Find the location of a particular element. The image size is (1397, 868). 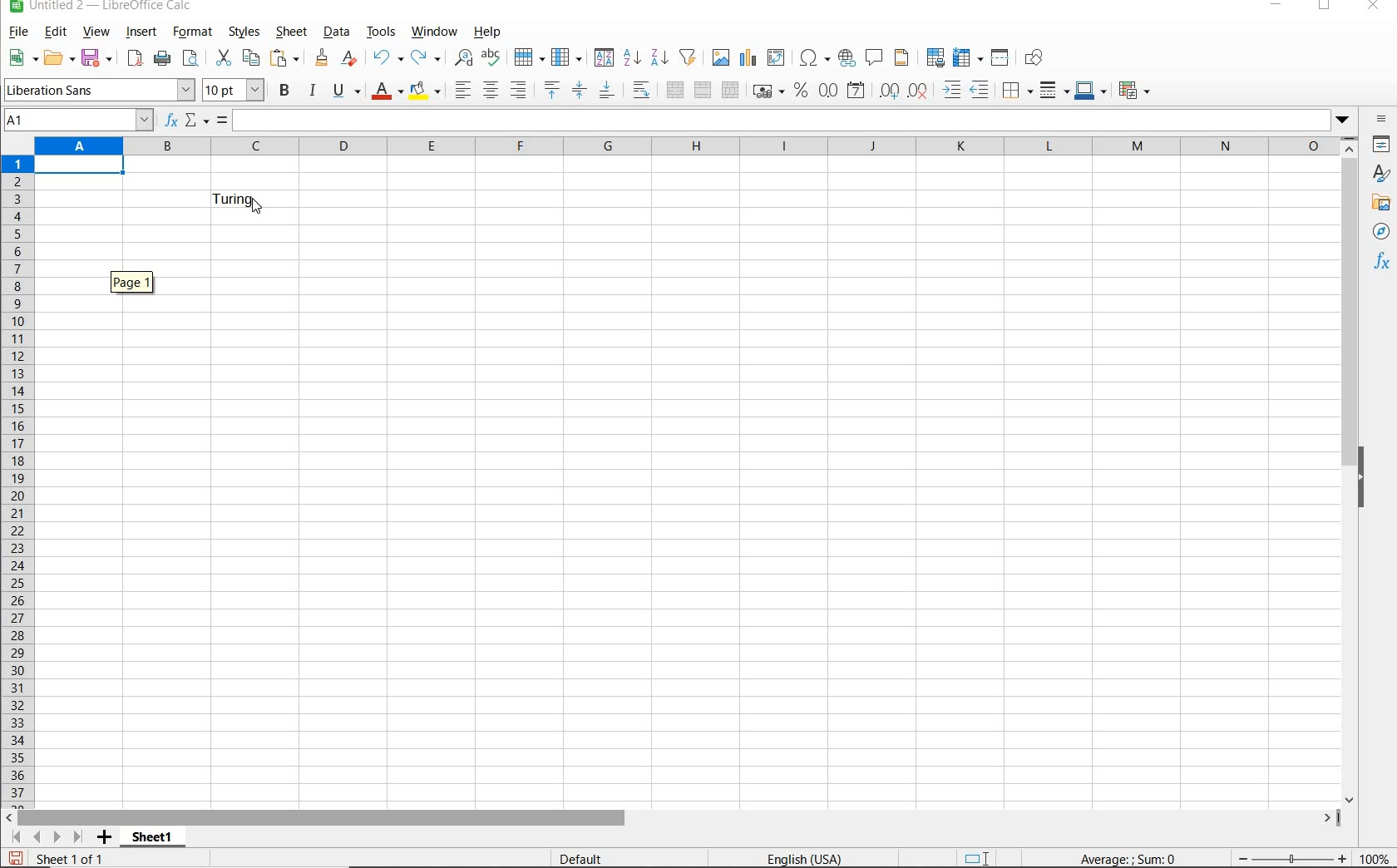

DATA is located at coordinates (339, 33).